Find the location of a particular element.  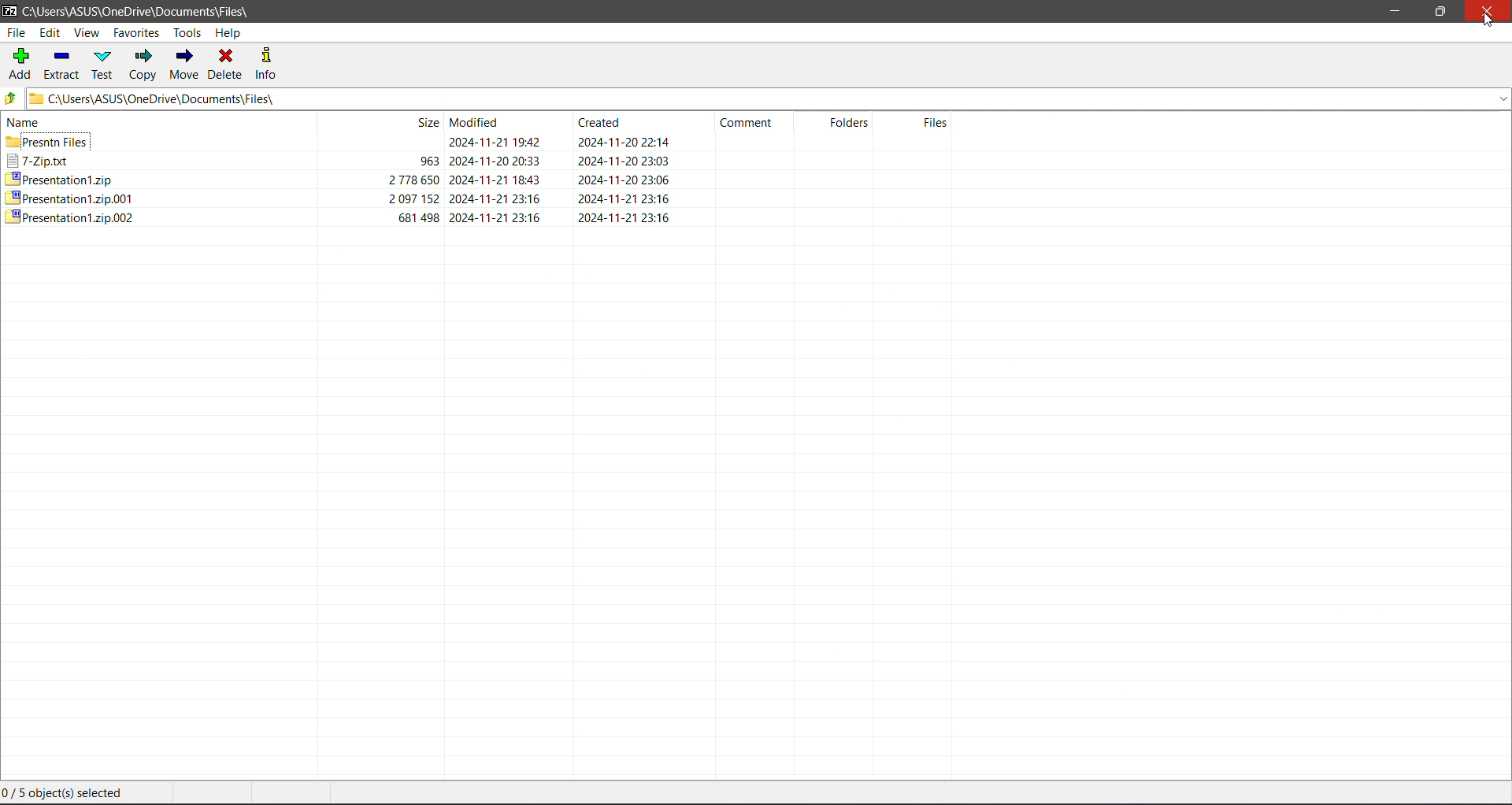

7-Zip.txt is located at coordinates (42, 158).